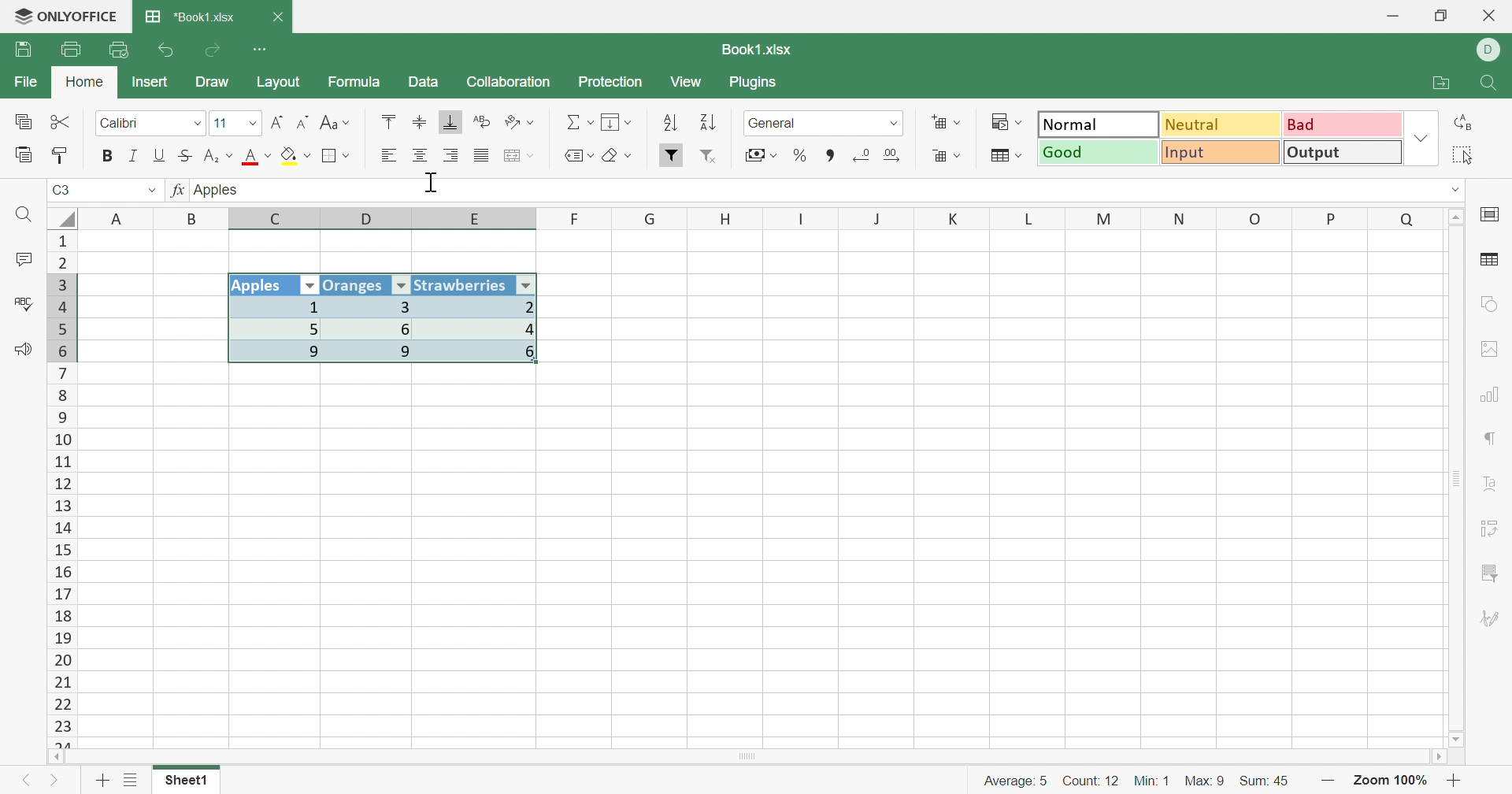  Describe the element at coordinates (120, 50) in the screenshot. I see `Quick Print` at that location.